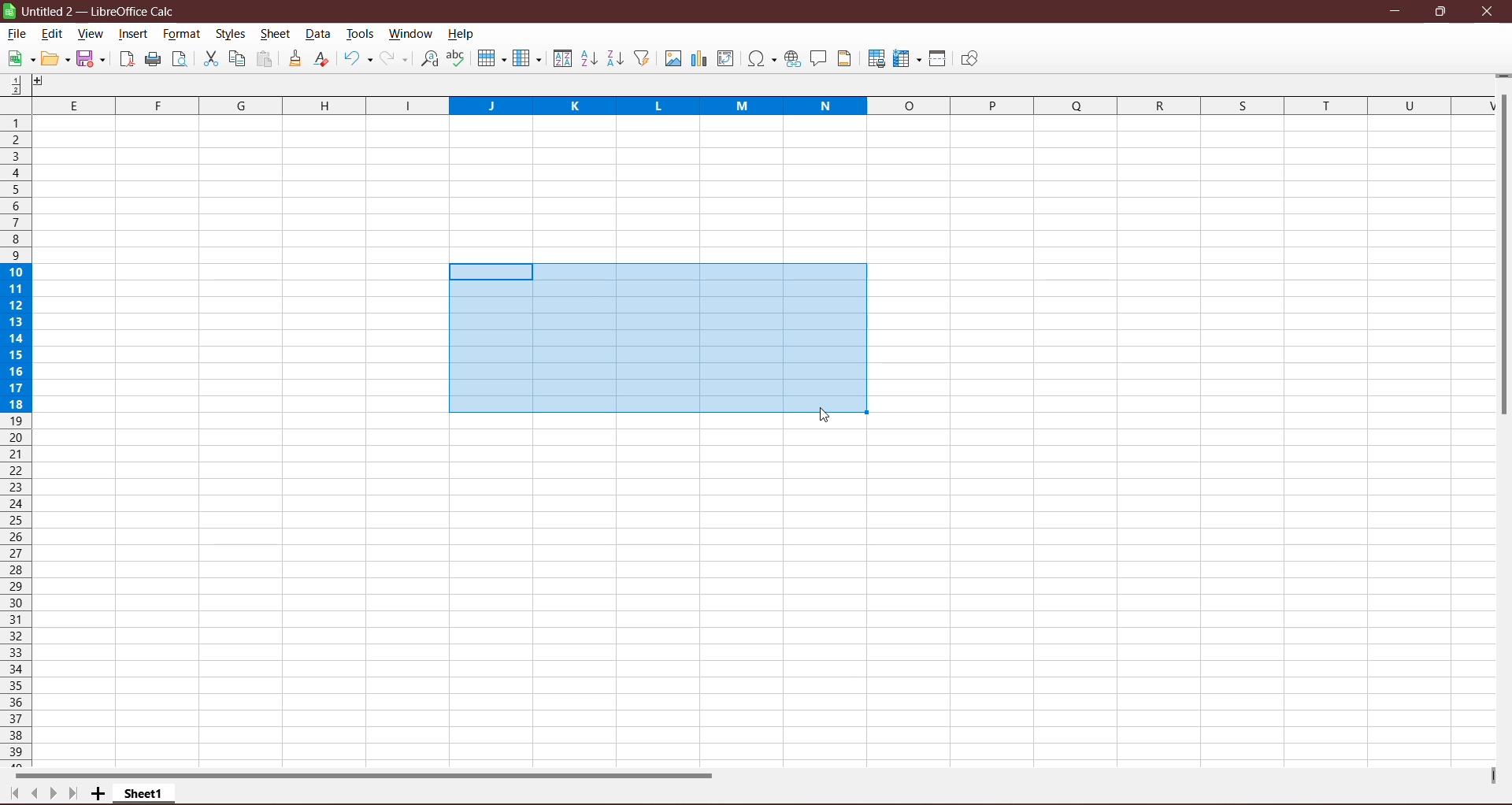 The image size is (1512, 805). Describe the element at coordinates (726, 57) in the screenshot. I see `Insert or Edit Pivot table` at that location.